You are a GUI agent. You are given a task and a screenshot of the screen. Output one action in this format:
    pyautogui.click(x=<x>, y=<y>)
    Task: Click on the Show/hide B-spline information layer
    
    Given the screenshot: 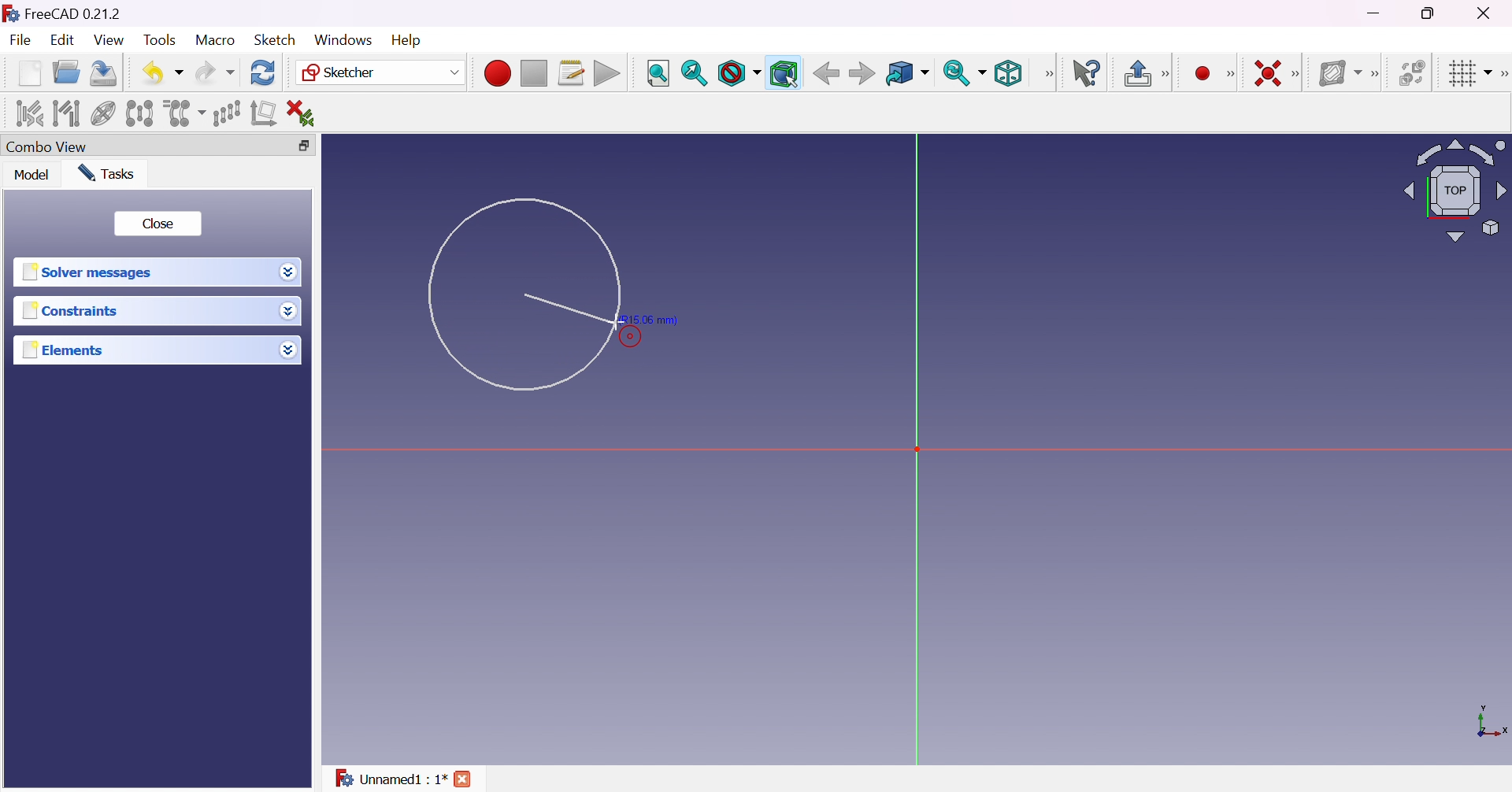 What is the action you would take?
    pyautogui.click(x=1340, y=72)
    